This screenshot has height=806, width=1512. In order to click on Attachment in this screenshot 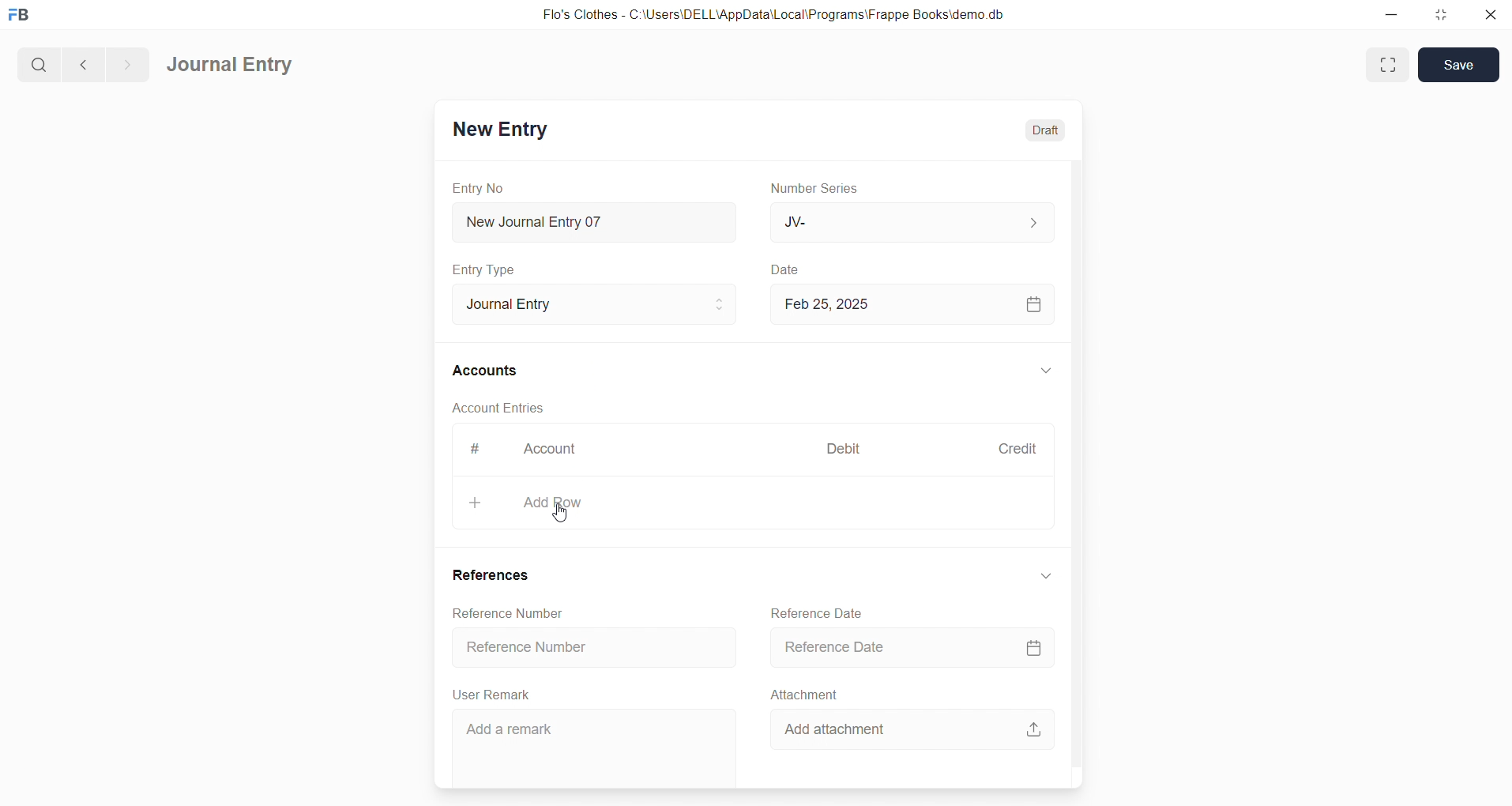, I will do `click(805, 694)`.